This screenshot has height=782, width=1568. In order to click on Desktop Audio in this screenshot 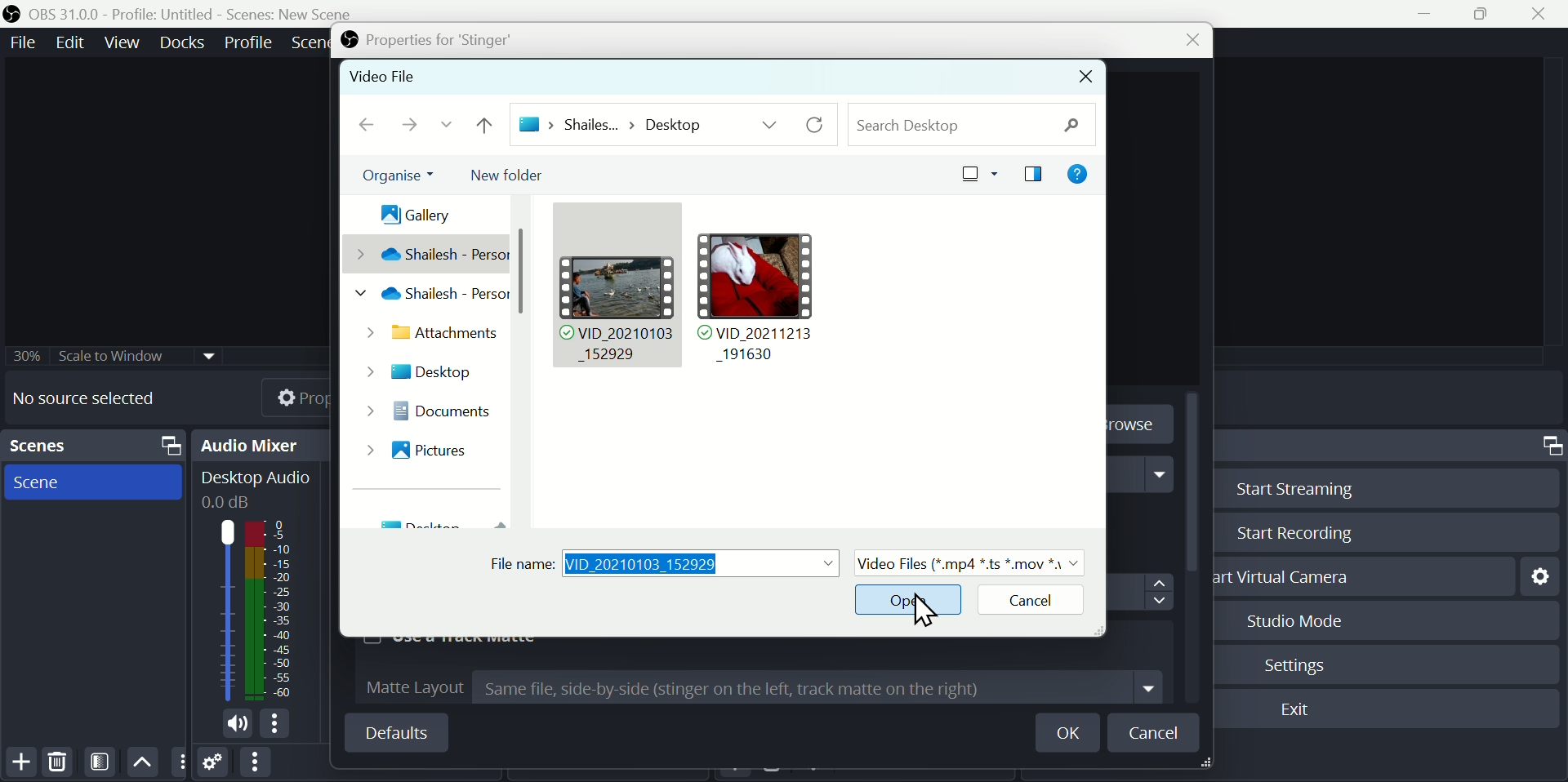, I will do `click(254, 488)`.